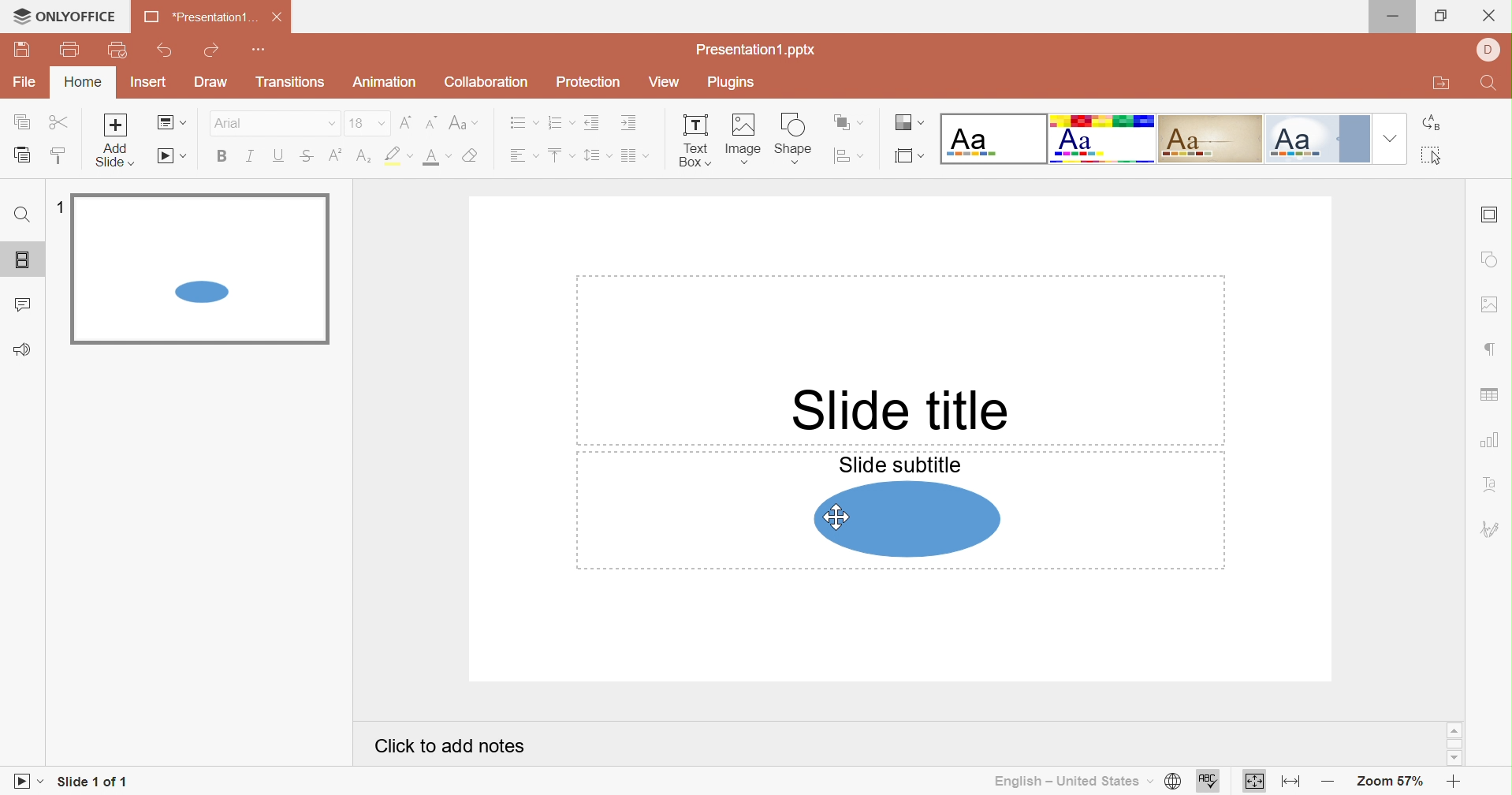 This screenshot has height=795, width=1512. What do you see at coordinates (560, 123) in the screenshot?
I see `Numbering` at bounding box center [560, 123].